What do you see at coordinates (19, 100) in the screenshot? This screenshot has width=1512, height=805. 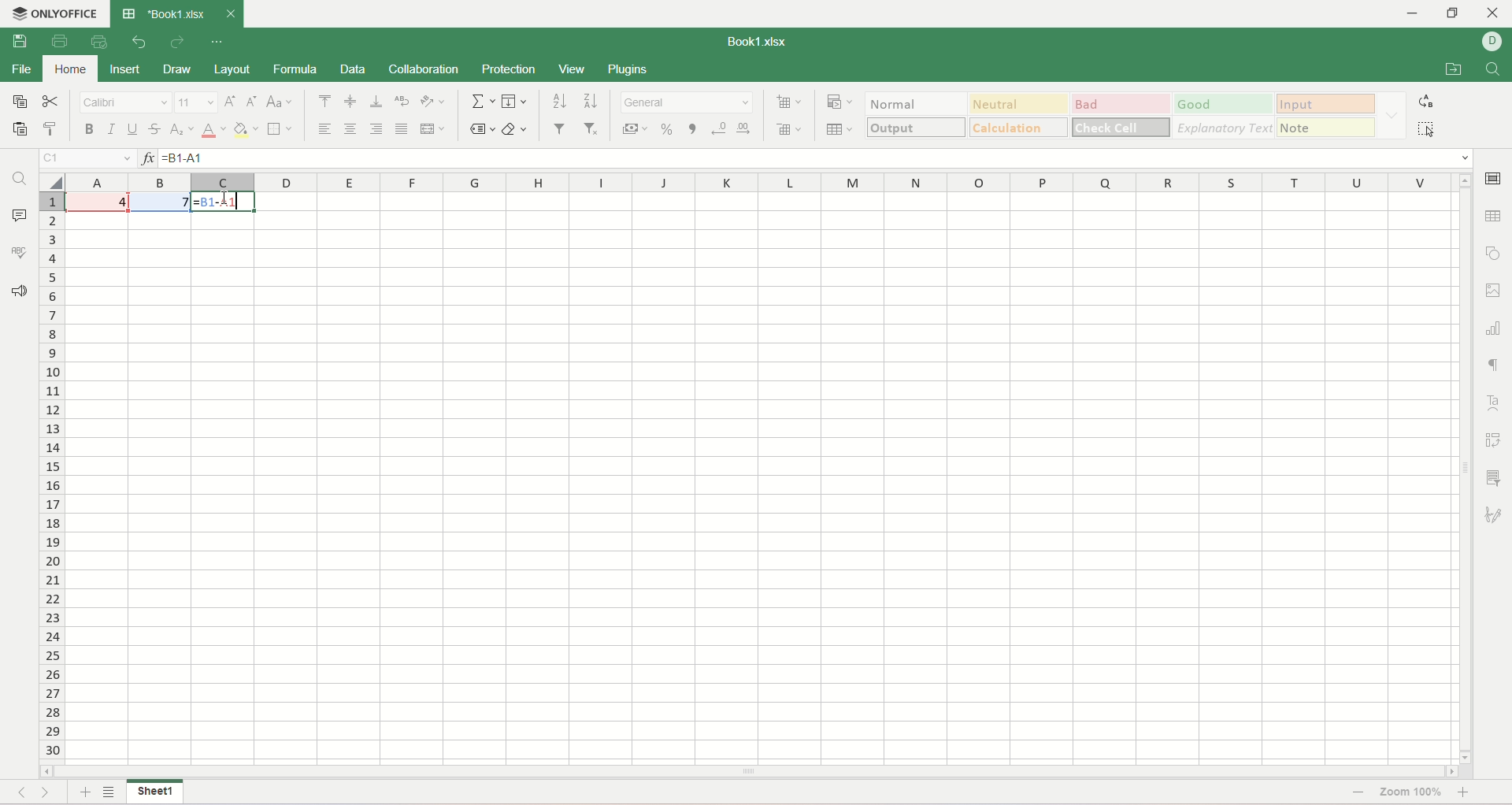 I see `copy` at bounding box center [19, 100].